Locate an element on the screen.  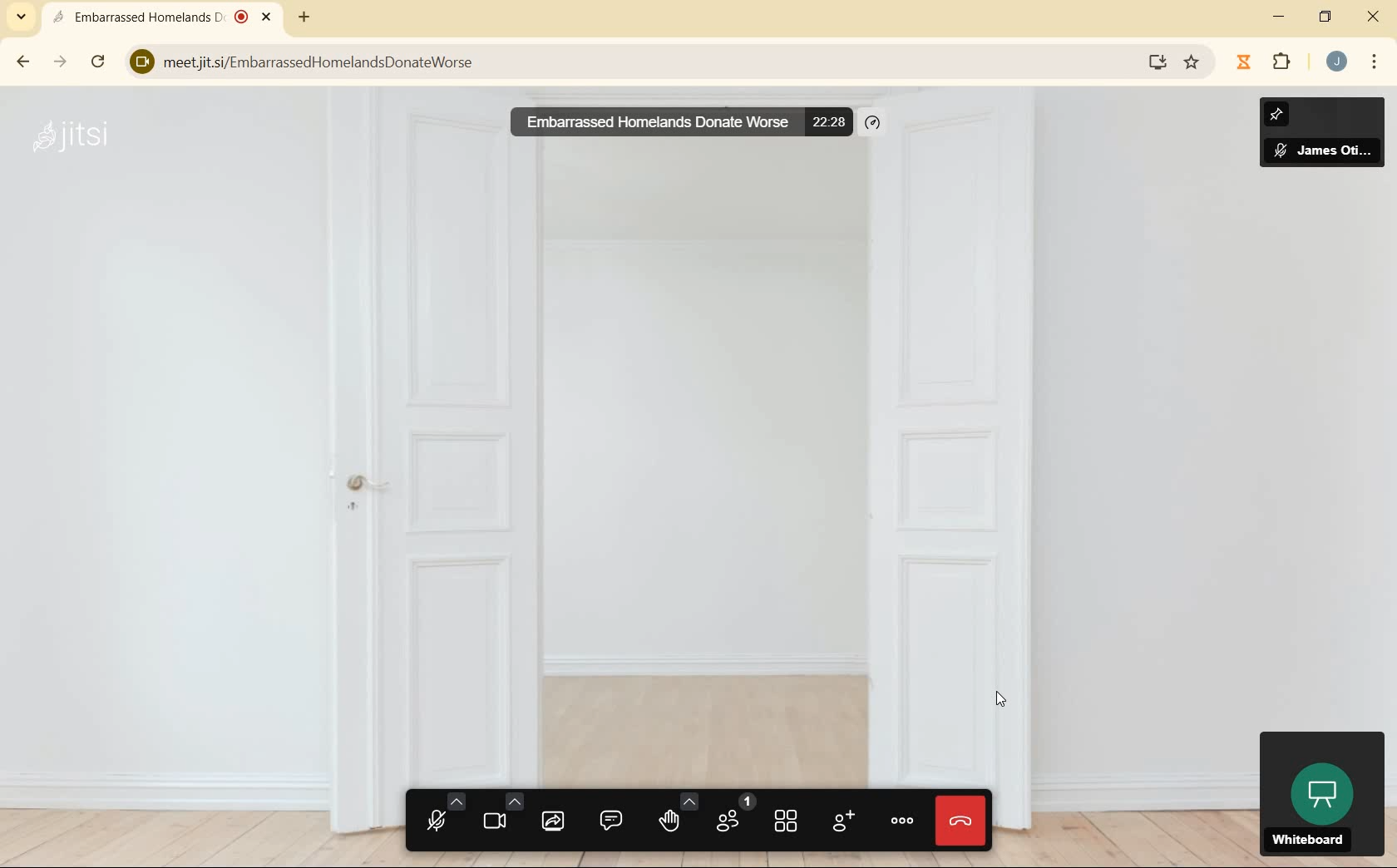
minimize is located at coordinates (1281, 16).